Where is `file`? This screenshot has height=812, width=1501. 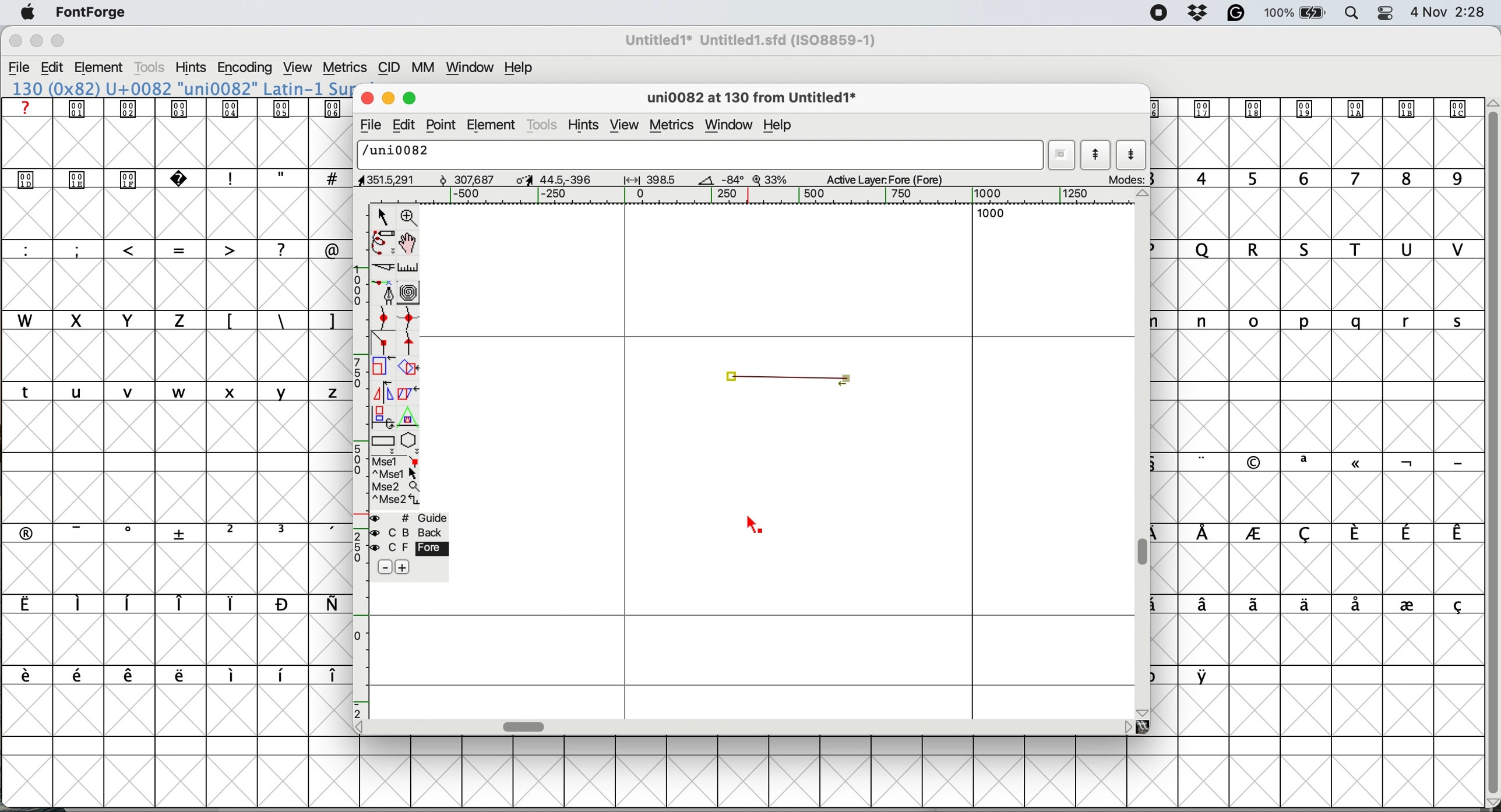 file is located at coordinates (20, 68).